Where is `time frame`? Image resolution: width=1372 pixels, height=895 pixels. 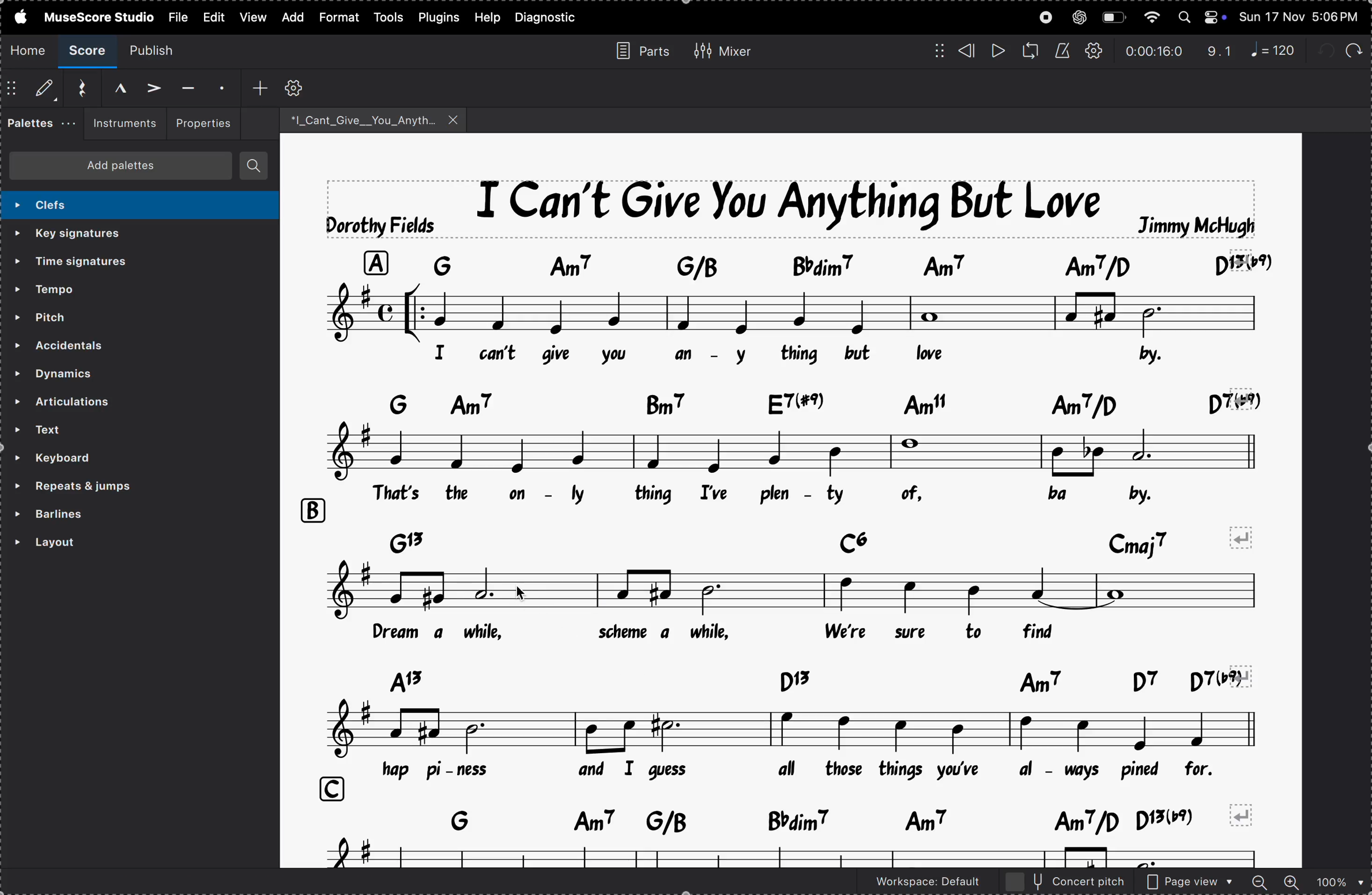
time frame is located at coordinates (1154, 51).